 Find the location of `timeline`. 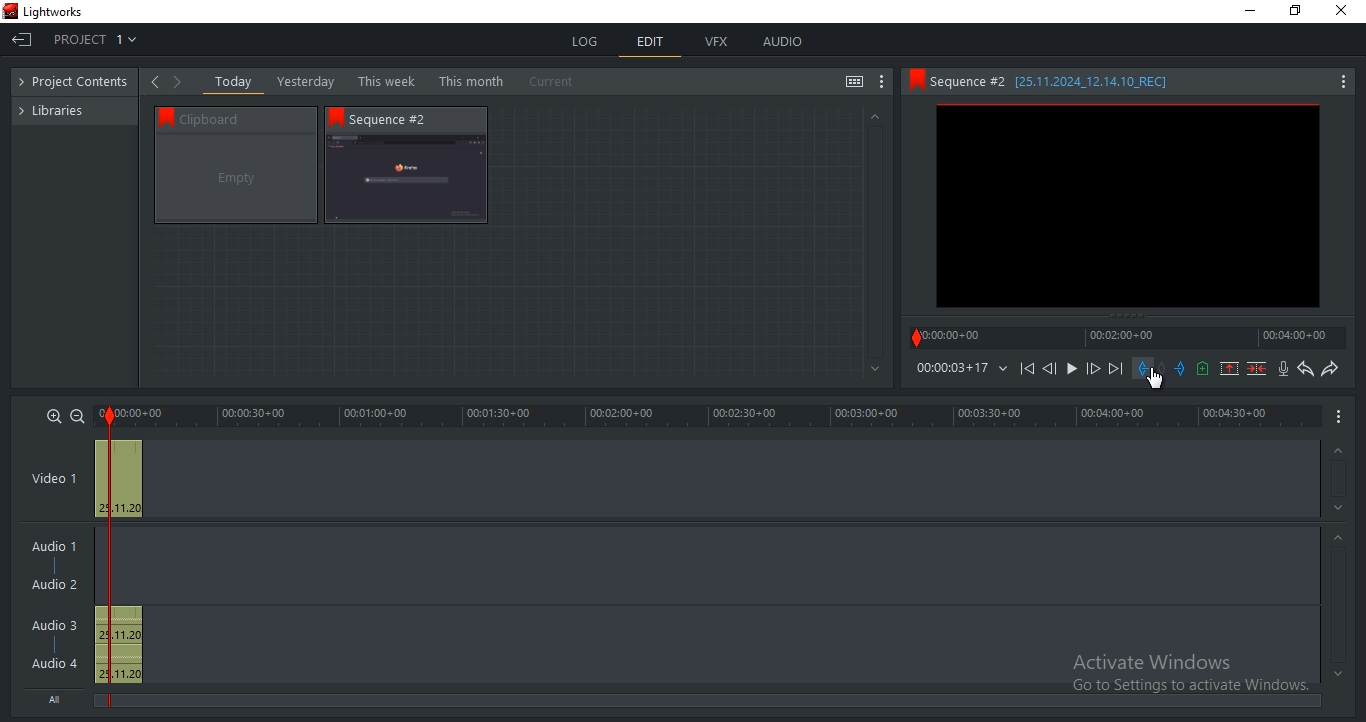

timeline is located at coordinates (710, 416).